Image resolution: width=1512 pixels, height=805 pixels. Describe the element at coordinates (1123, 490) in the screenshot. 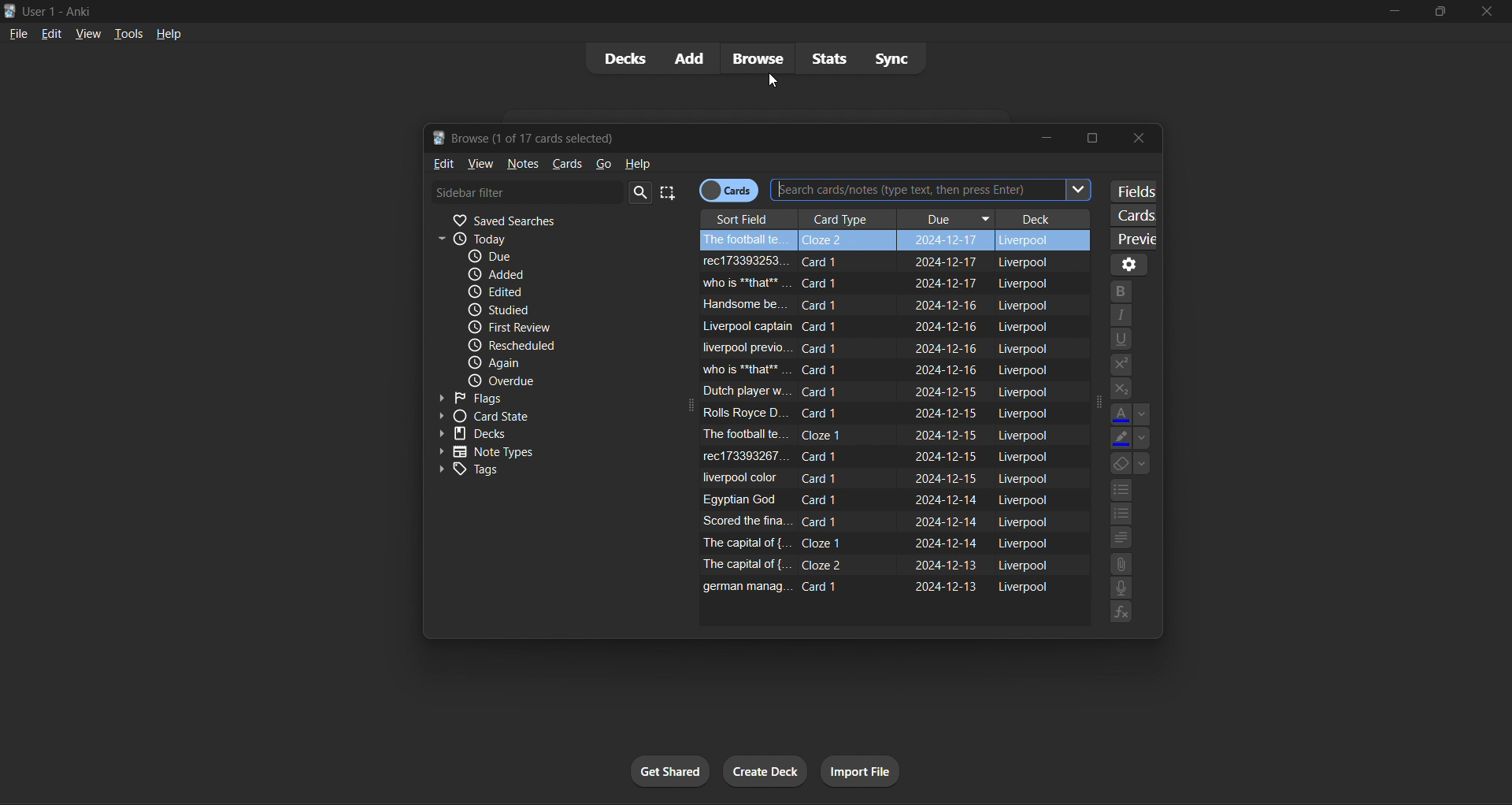

I see `points` at that location.